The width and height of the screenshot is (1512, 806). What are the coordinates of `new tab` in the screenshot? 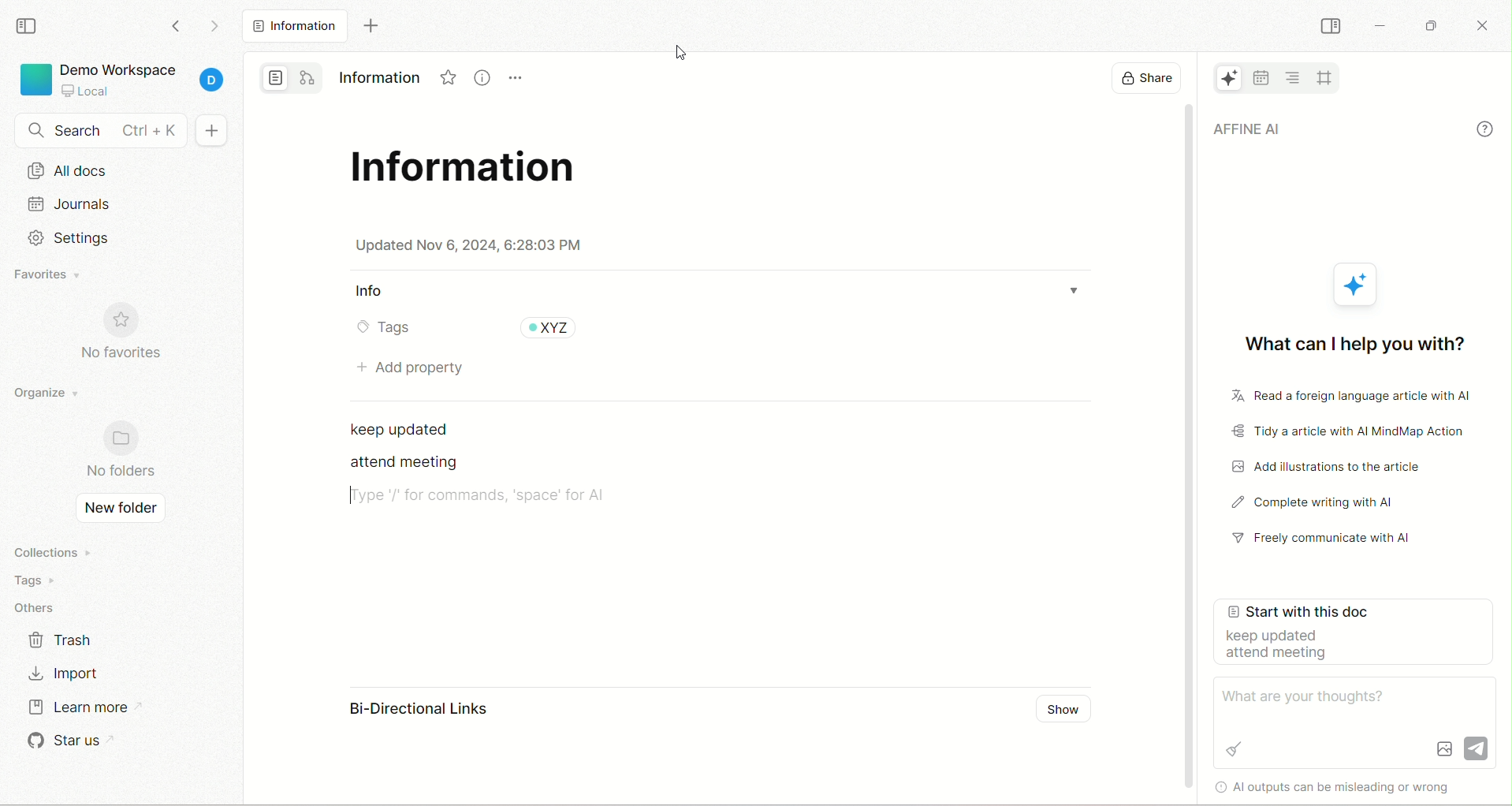 It's located at (367, 27).